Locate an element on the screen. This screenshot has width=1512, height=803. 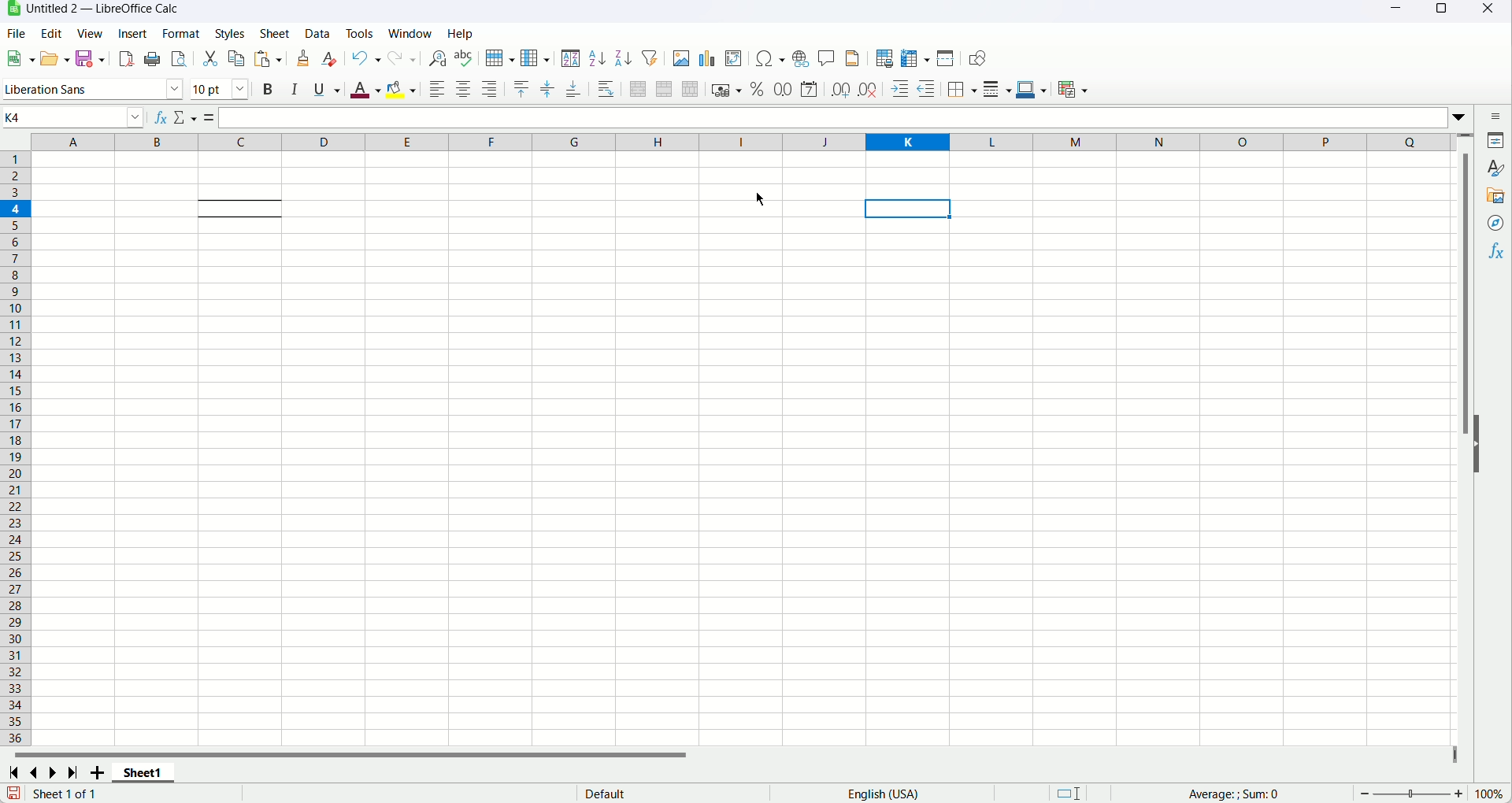
Add decimal is located at coordinates (841, 88).